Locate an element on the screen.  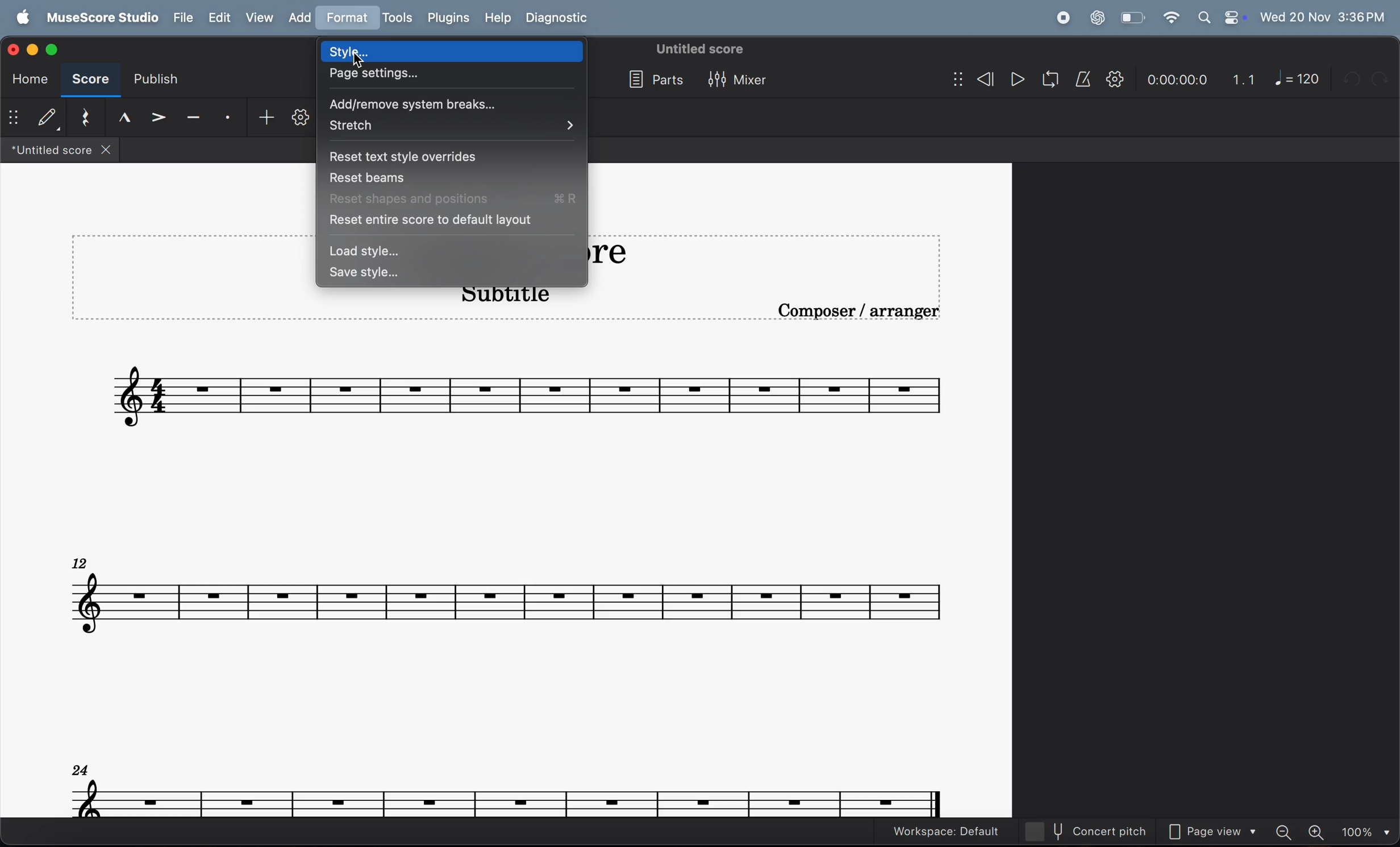
Redo is located at coordinates (1384, 78).